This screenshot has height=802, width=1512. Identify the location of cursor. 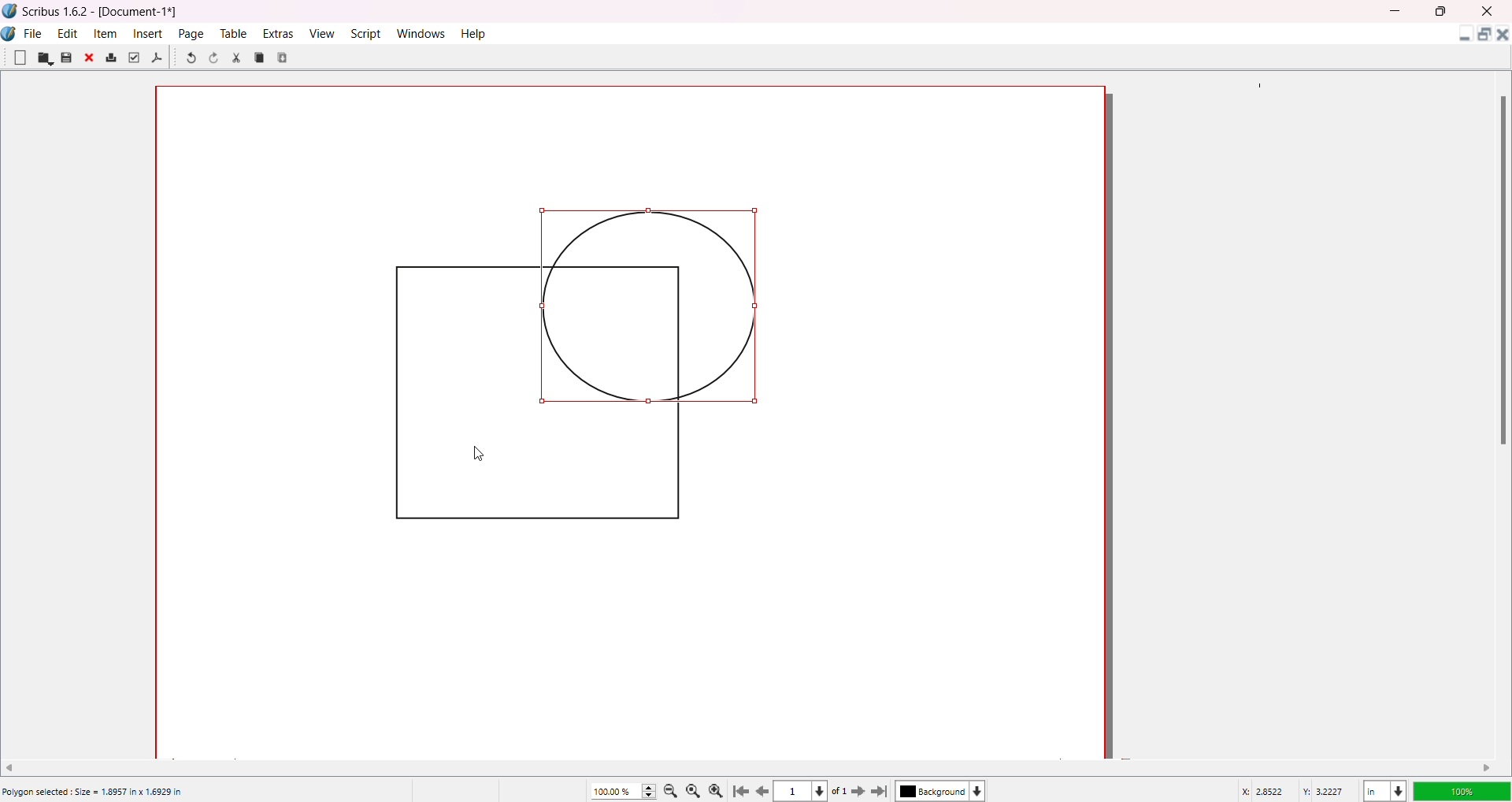
(483, 459).